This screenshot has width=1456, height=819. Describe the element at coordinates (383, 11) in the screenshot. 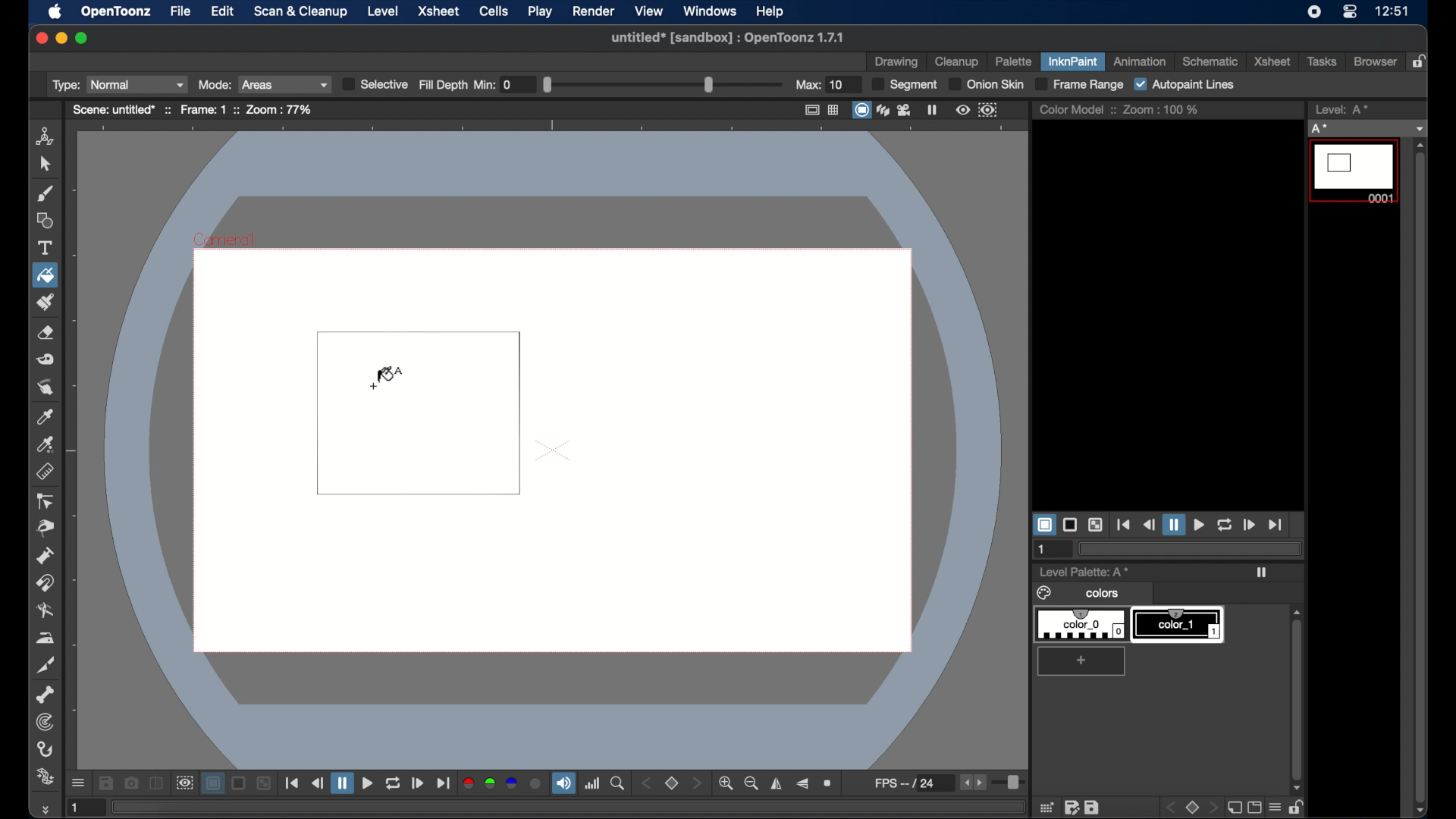

I see `level` at that location.